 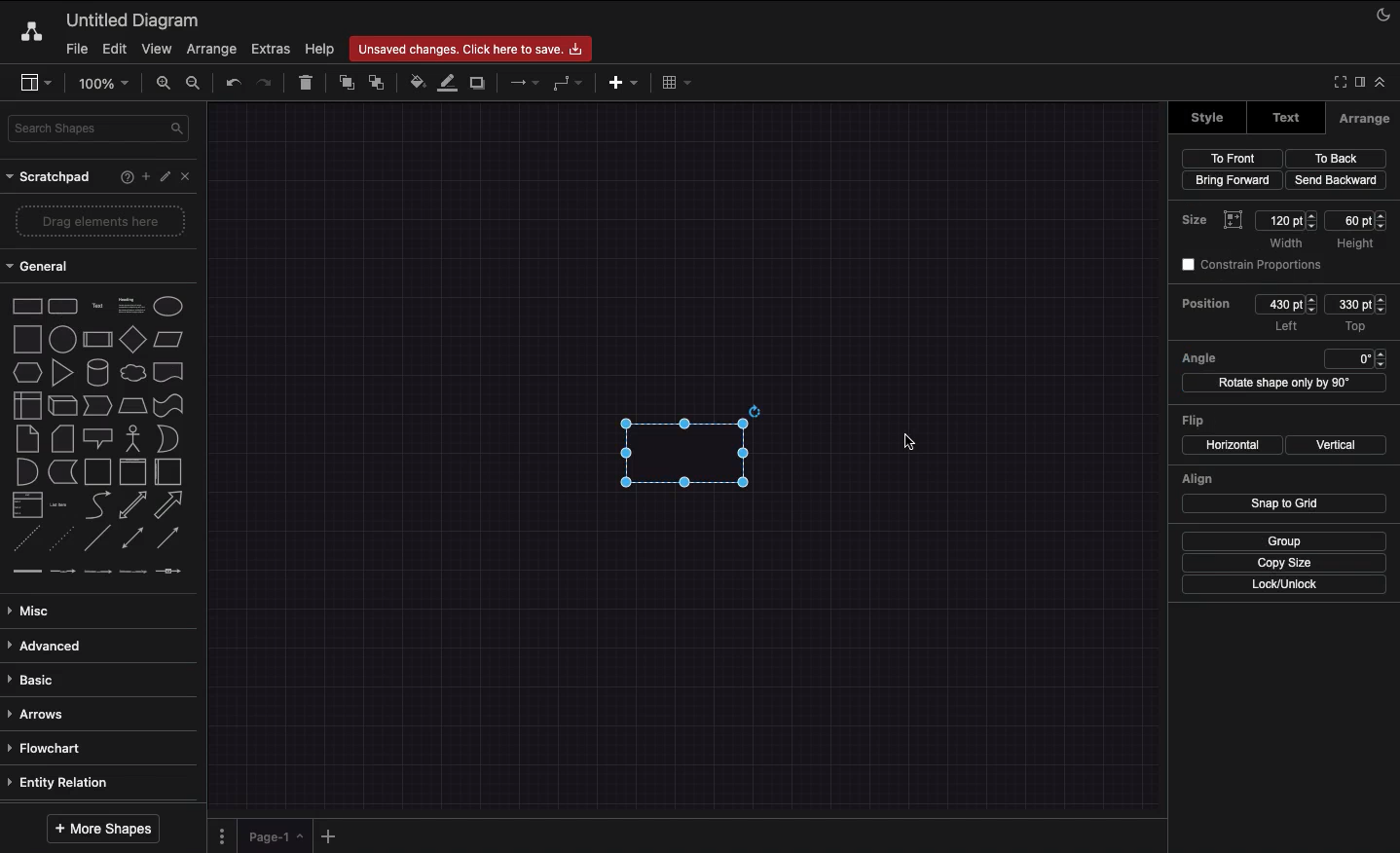 I want to click on Bring forward, so click(x=1224, y=180).